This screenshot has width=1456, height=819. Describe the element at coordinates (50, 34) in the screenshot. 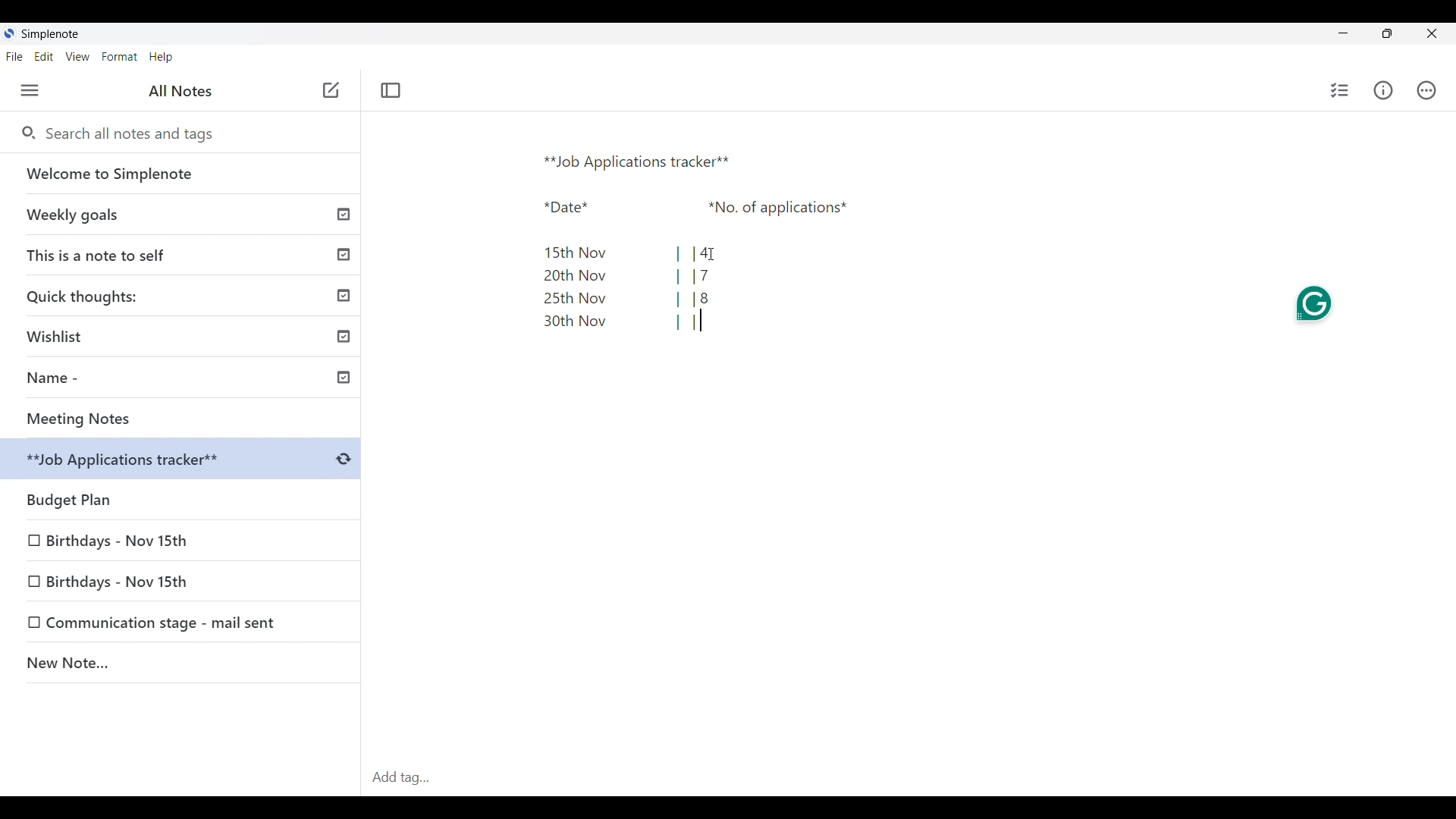

I see `Software name` at that location.